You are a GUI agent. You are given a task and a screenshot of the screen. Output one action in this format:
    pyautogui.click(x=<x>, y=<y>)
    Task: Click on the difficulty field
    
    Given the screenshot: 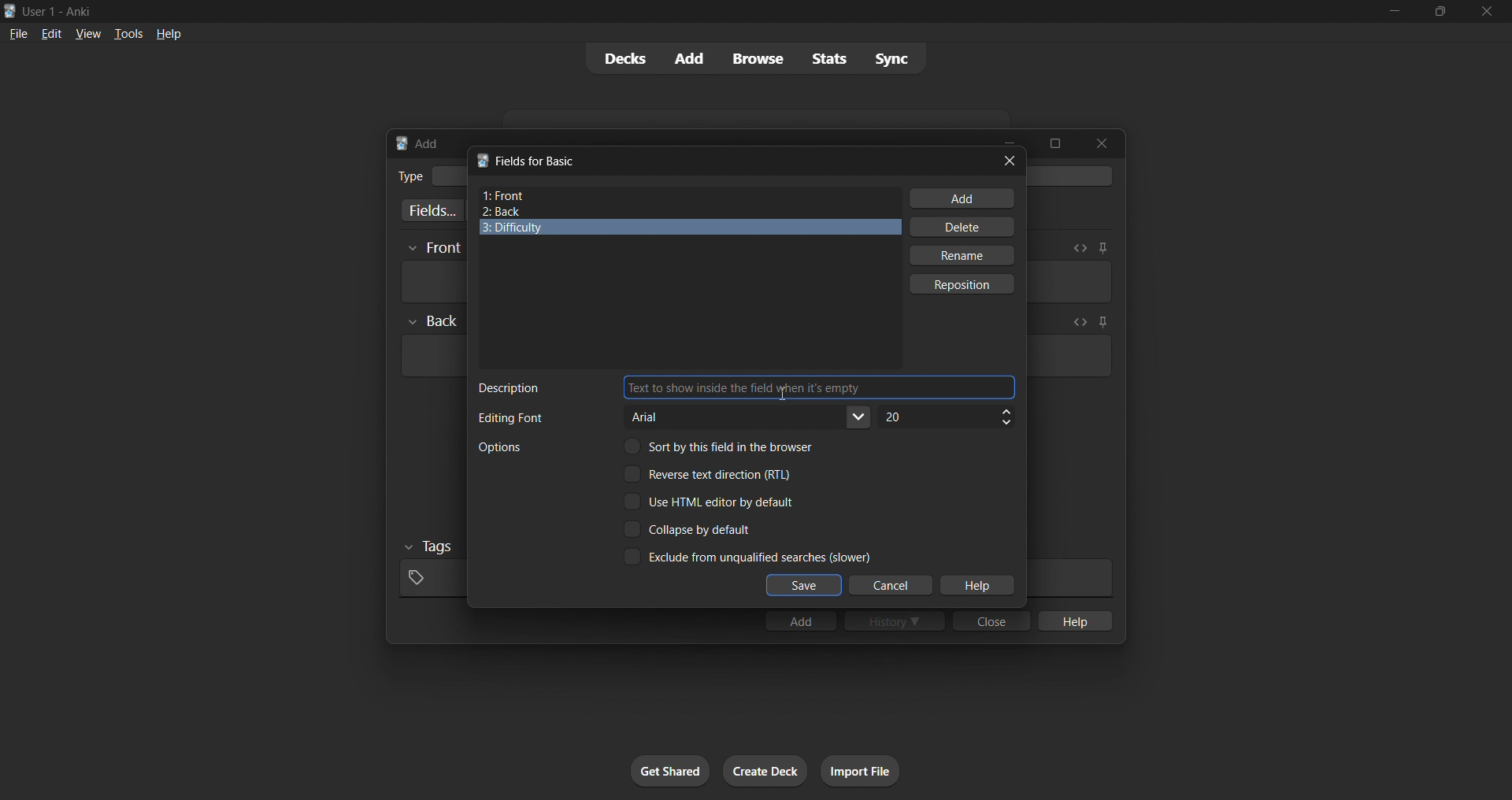 What is the action you would take?
    pyautogui.click(x=691, y=228)
    